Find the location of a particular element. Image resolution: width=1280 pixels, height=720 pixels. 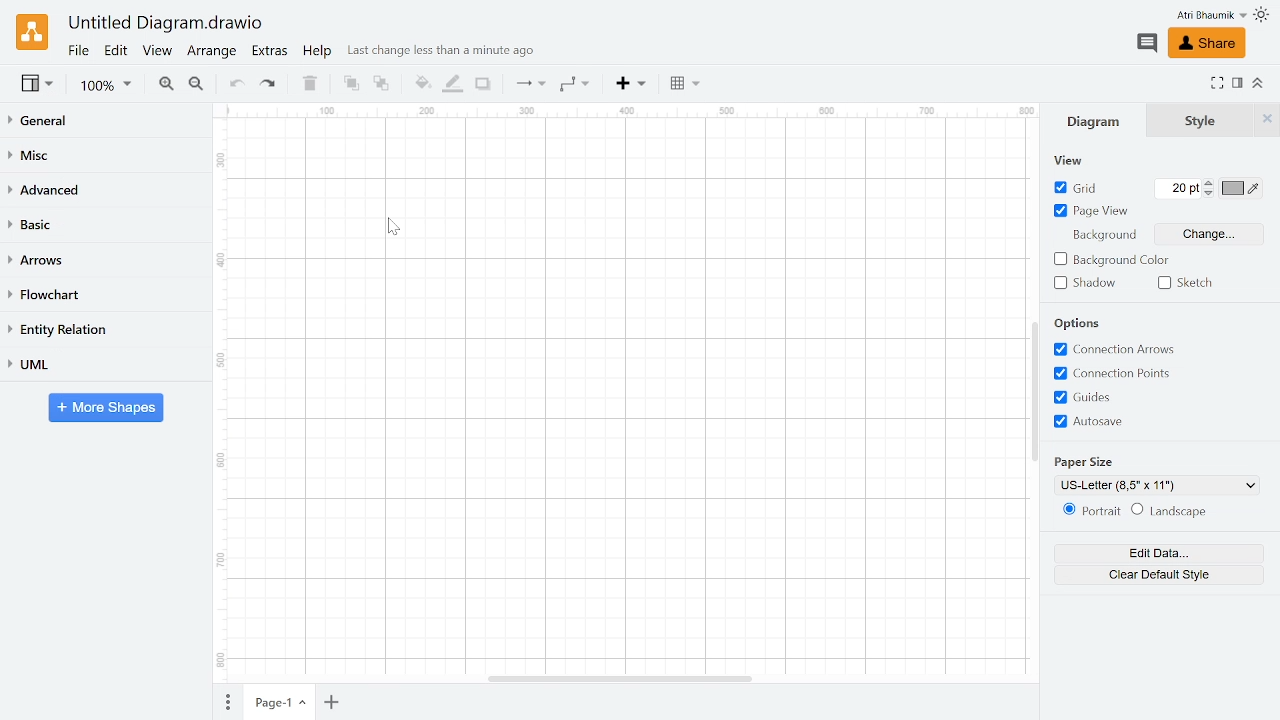

More shapes is located at coordinates (106, 408).